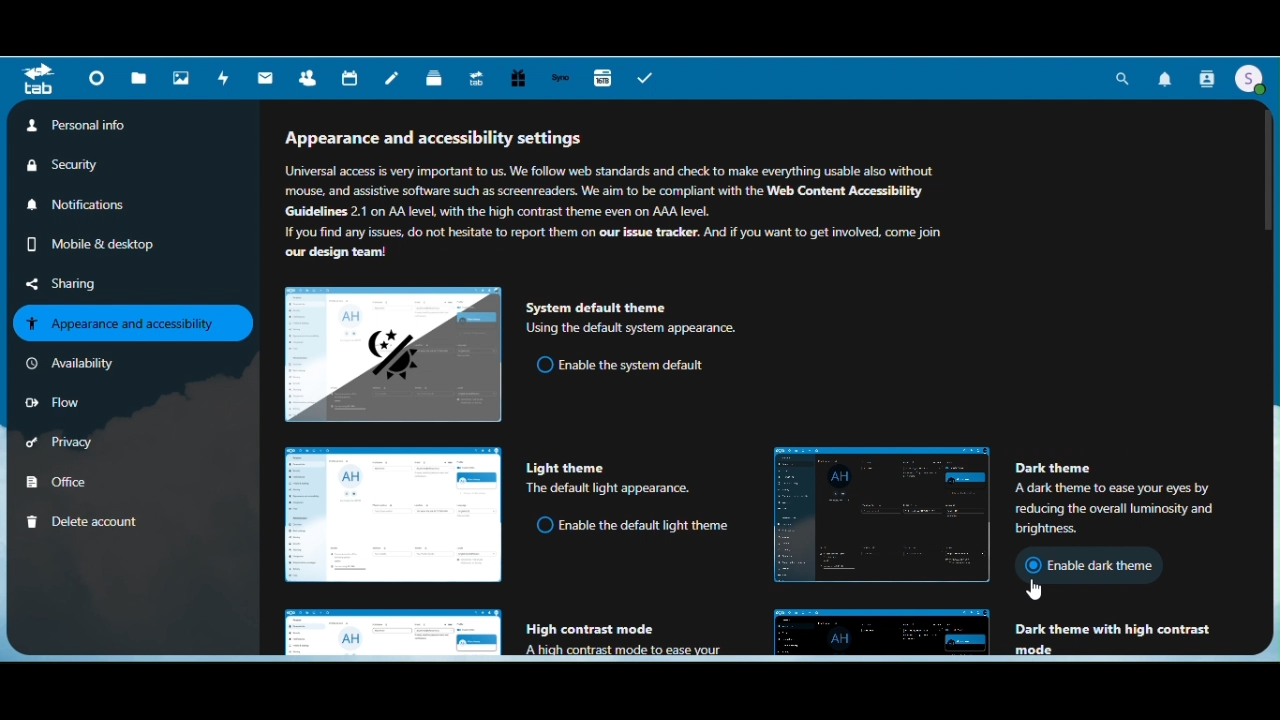  Describe the element at coordinates (1166, 76) in the screenshot. I see `Notifications` at that location.